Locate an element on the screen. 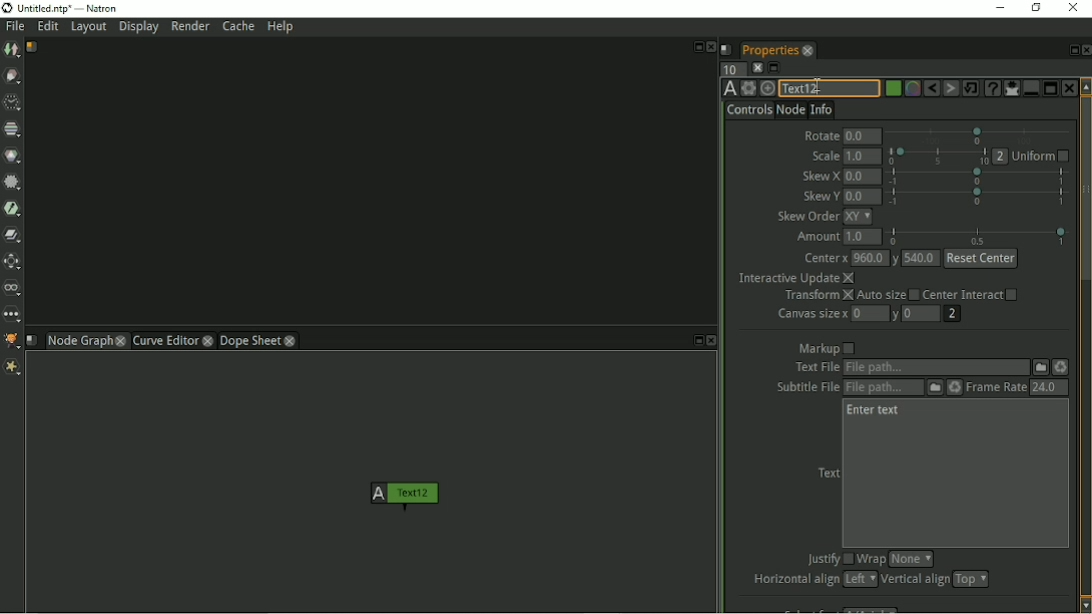 This screenshot has height=614, width=1092. Minimize is located at coordinates (998, 7).